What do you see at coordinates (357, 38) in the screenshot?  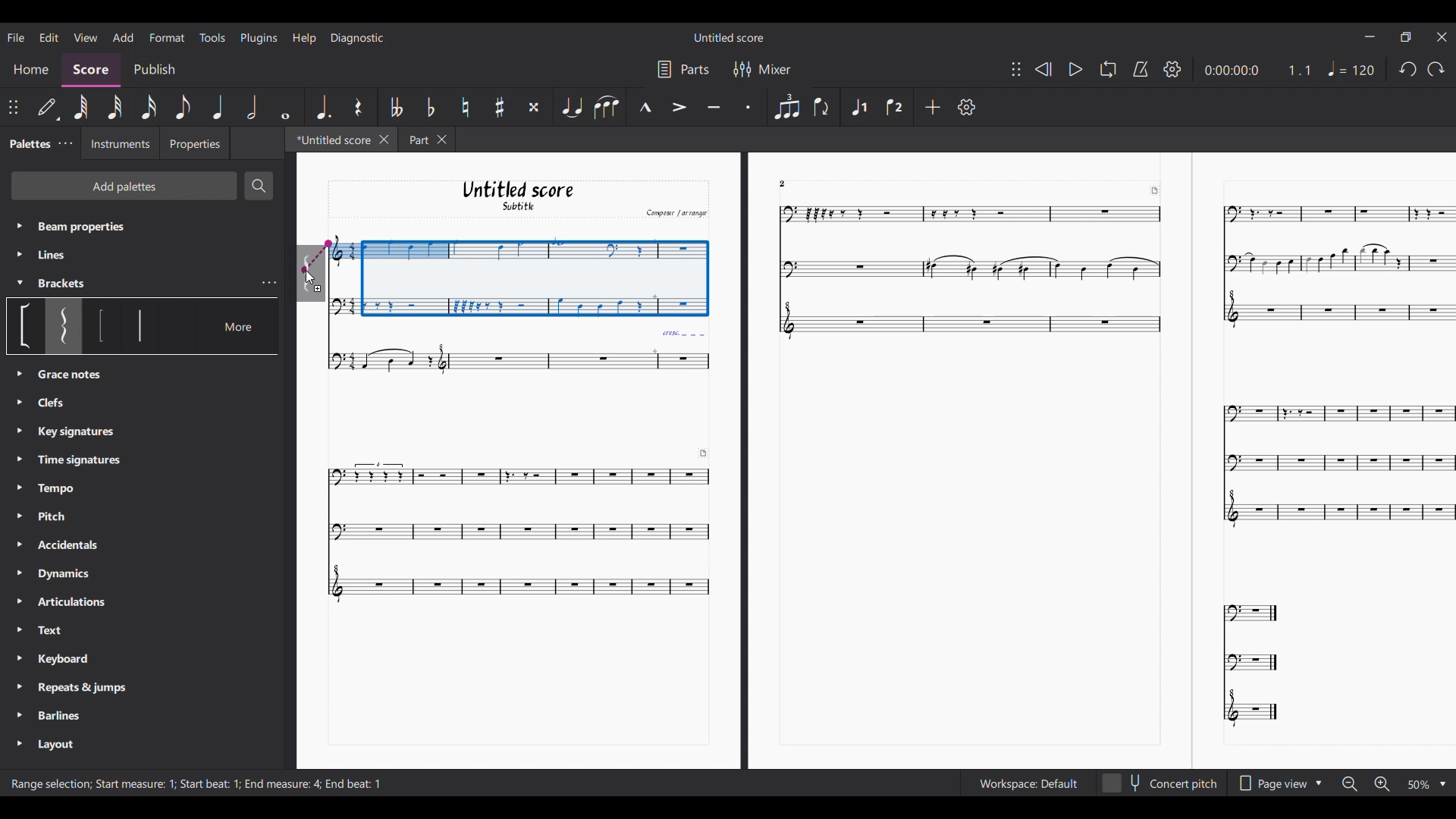 I see `Diagnostic` at bounding box center [357, 38].